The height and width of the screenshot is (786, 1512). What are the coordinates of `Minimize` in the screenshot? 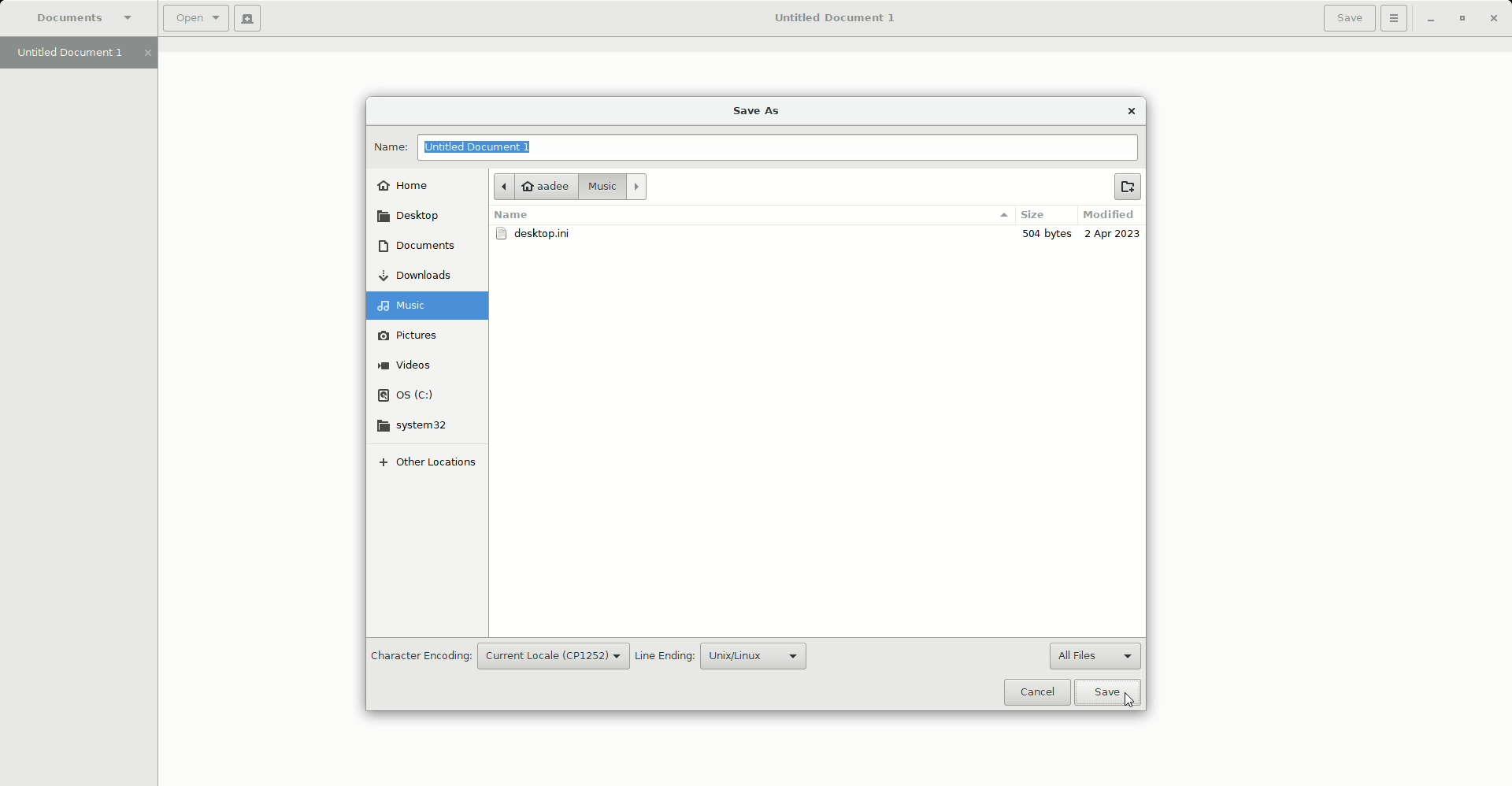 It's located at (1430, 19).